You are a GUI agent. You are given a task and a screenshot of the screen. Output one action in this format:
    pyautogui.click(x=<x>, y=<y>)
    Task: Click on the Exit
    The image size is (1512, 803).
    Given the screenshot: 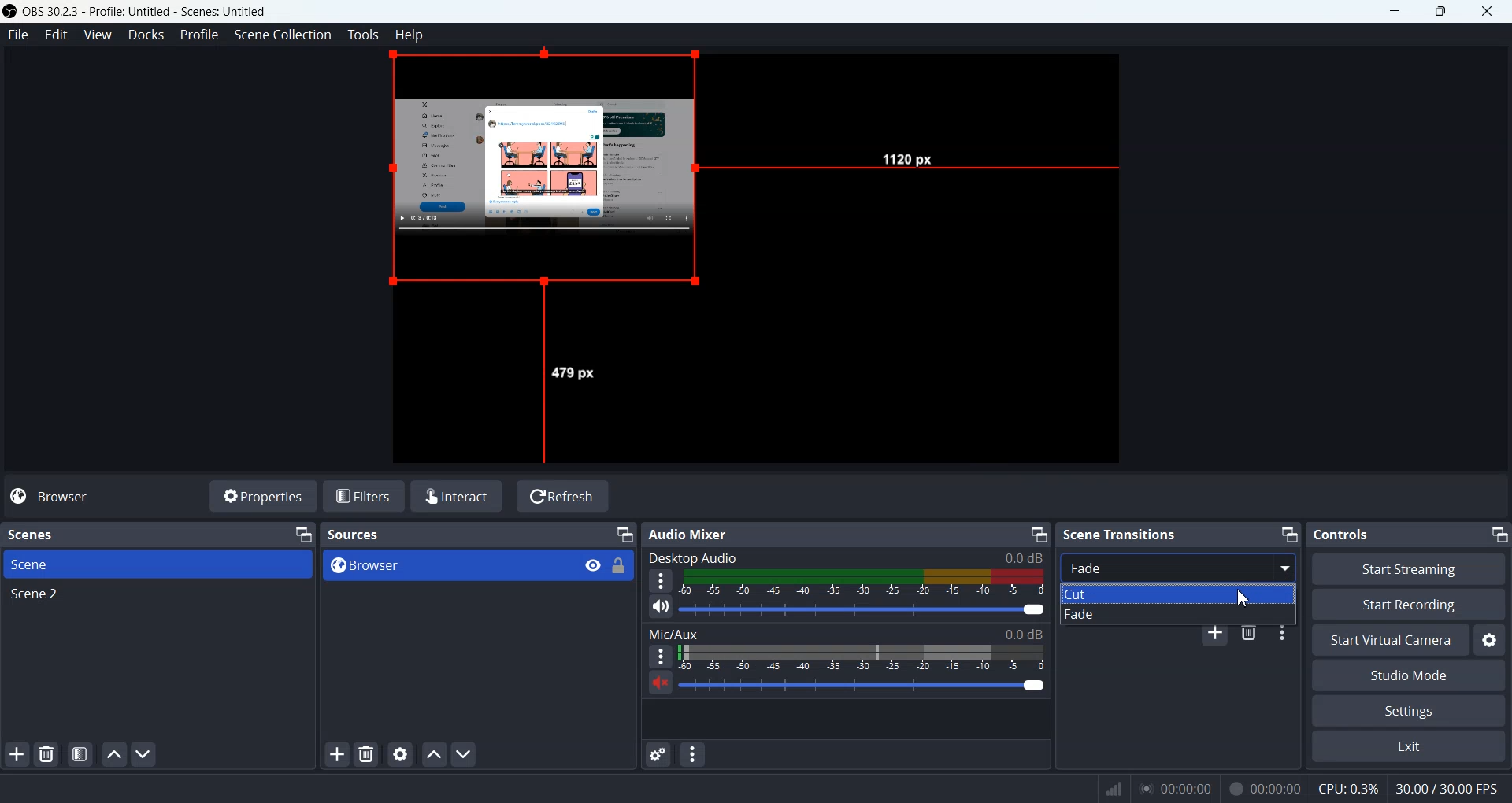 What is the action you would take?
    pyautogui.click(x=1408, y=746)
    